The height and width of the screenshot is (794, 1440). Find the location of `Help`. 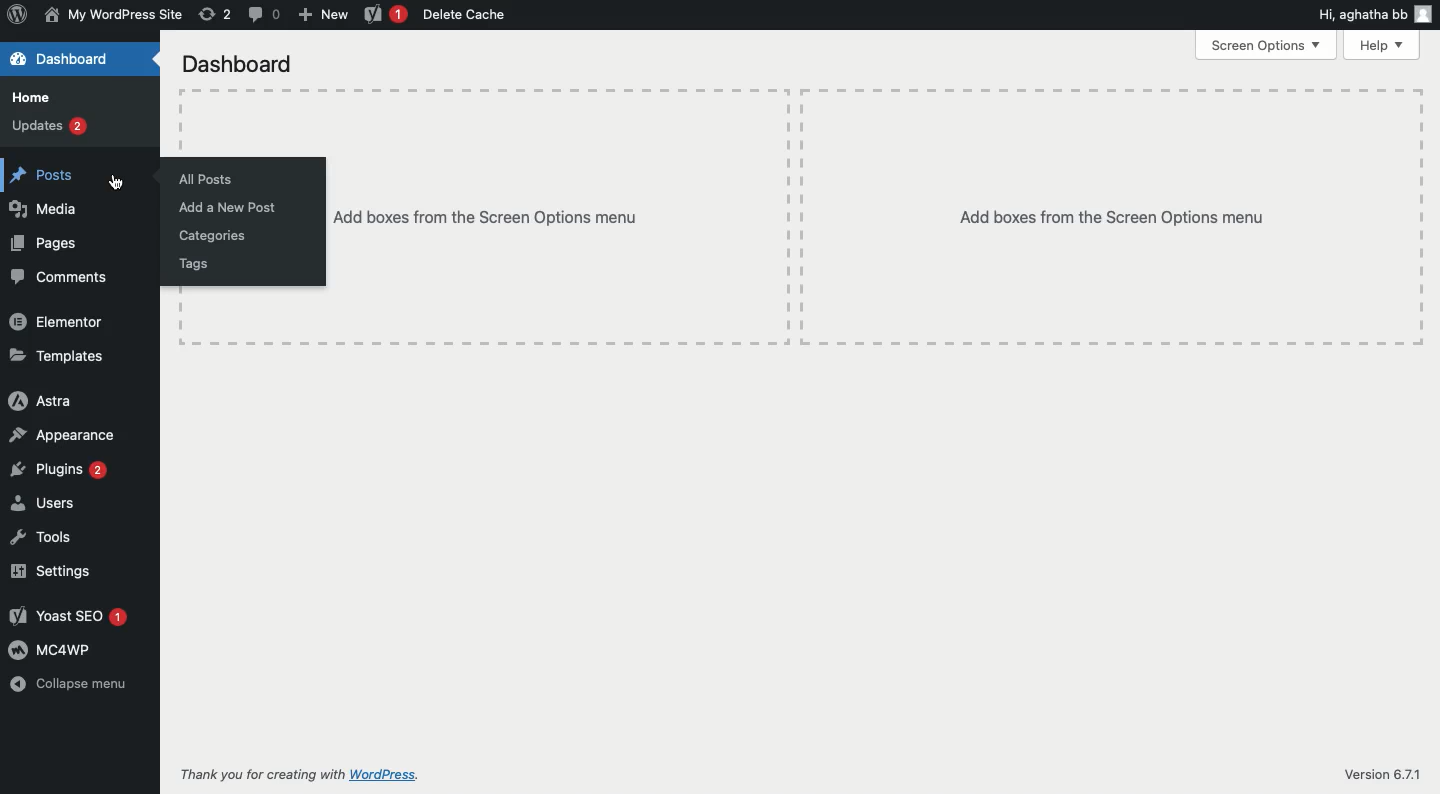

Help is located at coordinates (1381, 47).